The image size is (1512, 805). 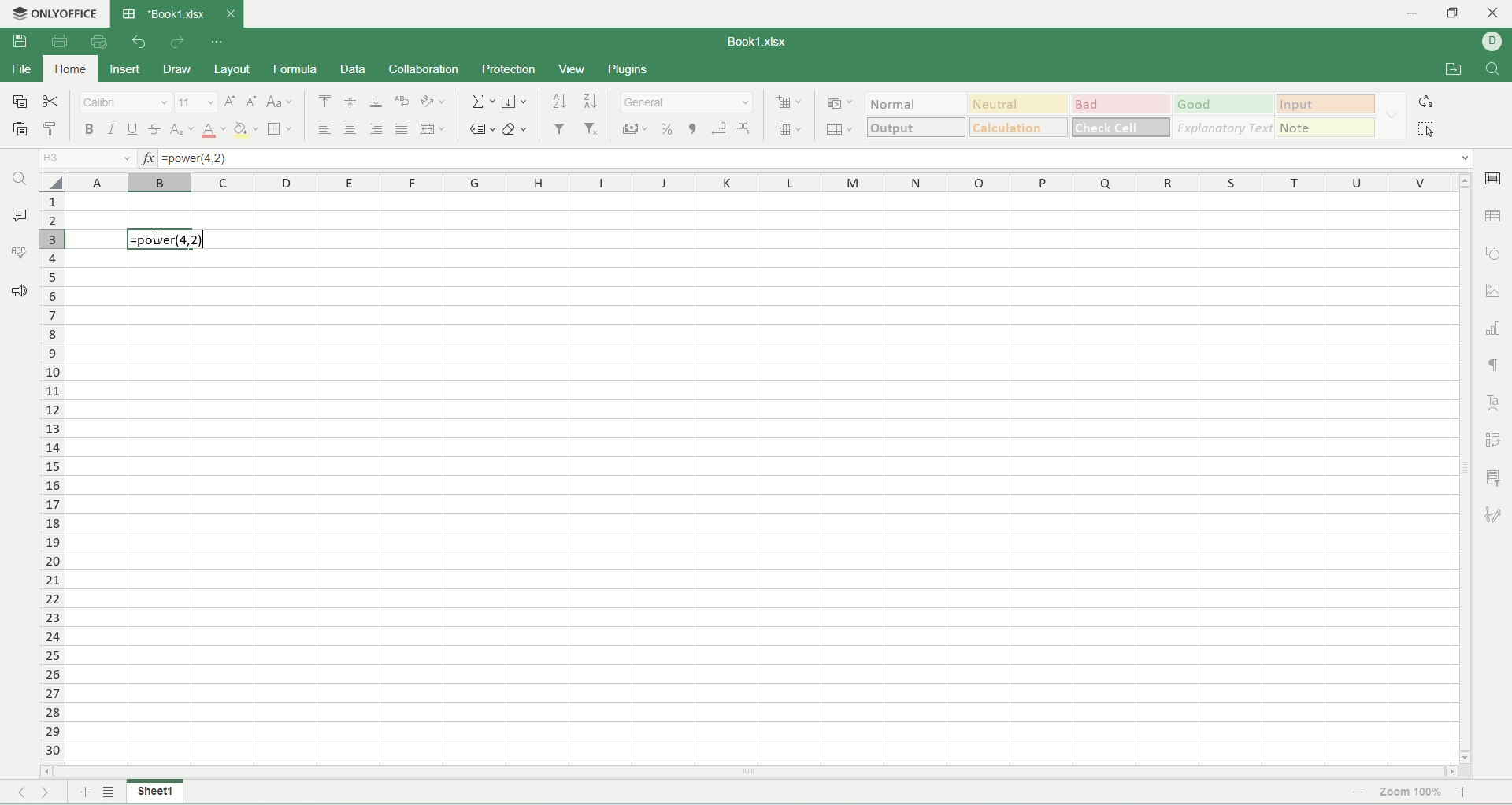 What do you see at coordinates (1225, 128) in the screenshot?
I see `explanotry text` at bounding box center [1225, 128].